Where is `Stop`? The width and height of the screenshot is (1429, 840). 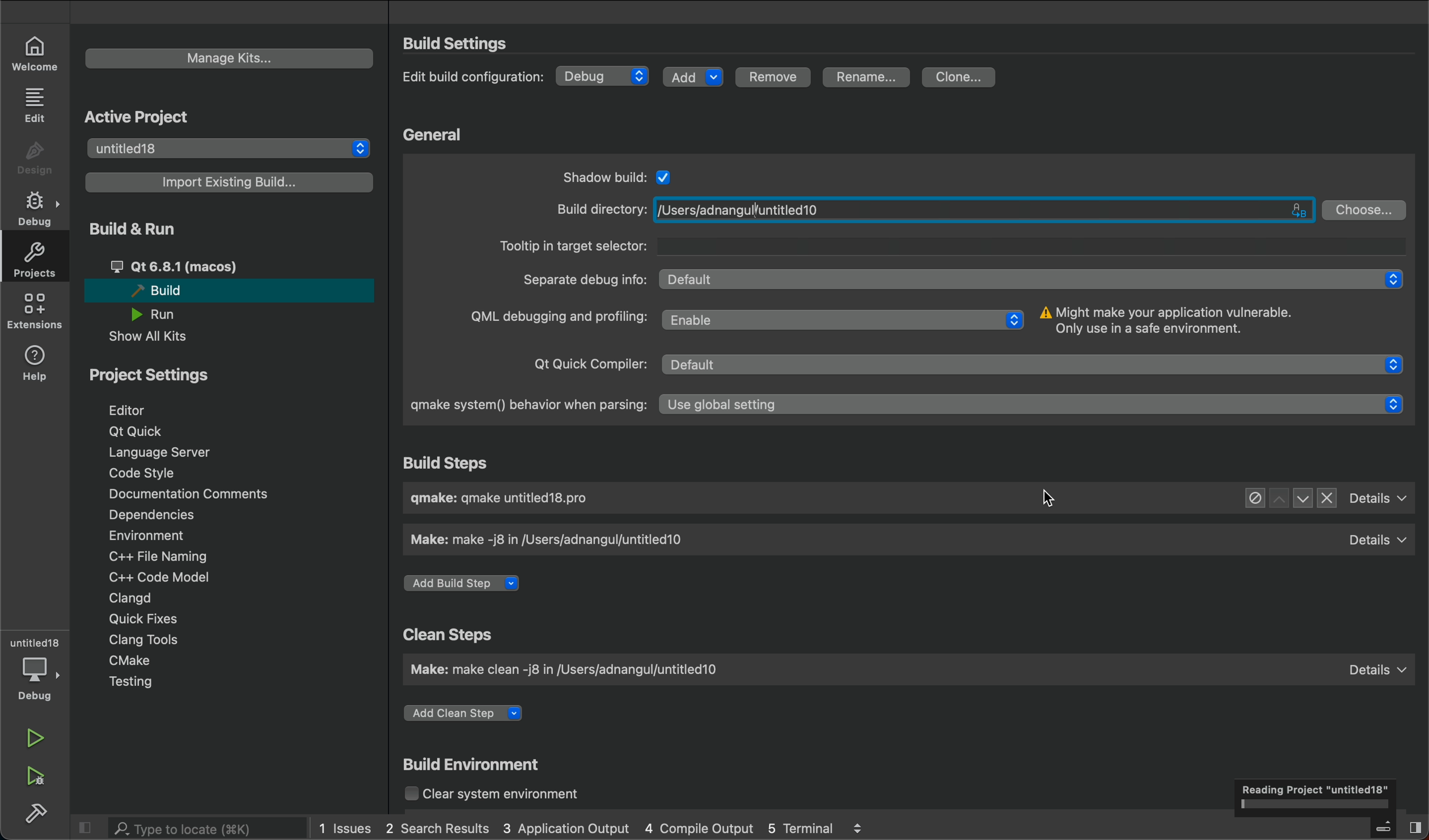 Stop is located at coordinates (1253, 499).